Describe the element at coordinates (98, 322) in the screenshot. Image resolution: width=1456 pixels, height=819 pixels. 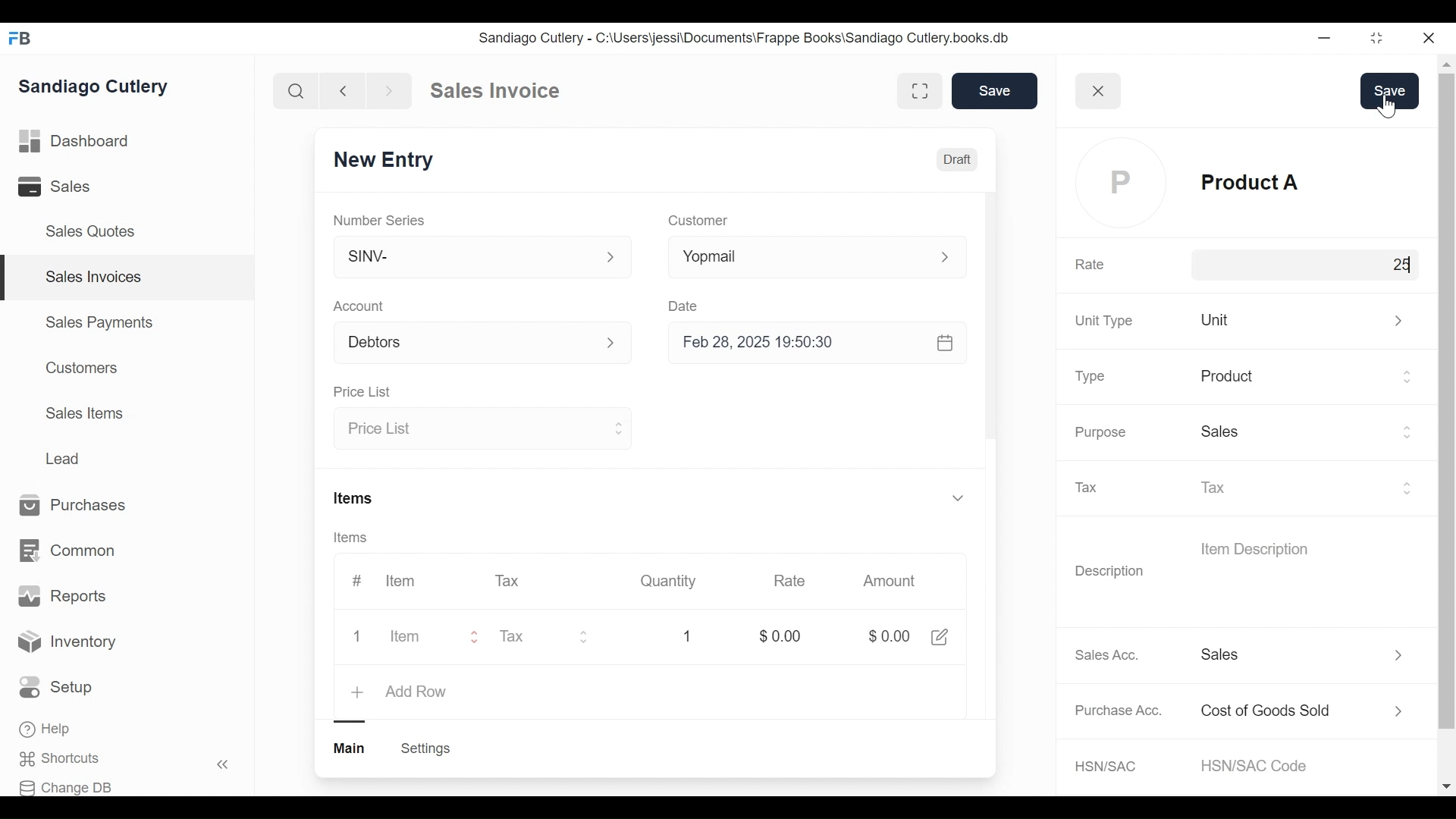
I see `Sales Payments` at that location.